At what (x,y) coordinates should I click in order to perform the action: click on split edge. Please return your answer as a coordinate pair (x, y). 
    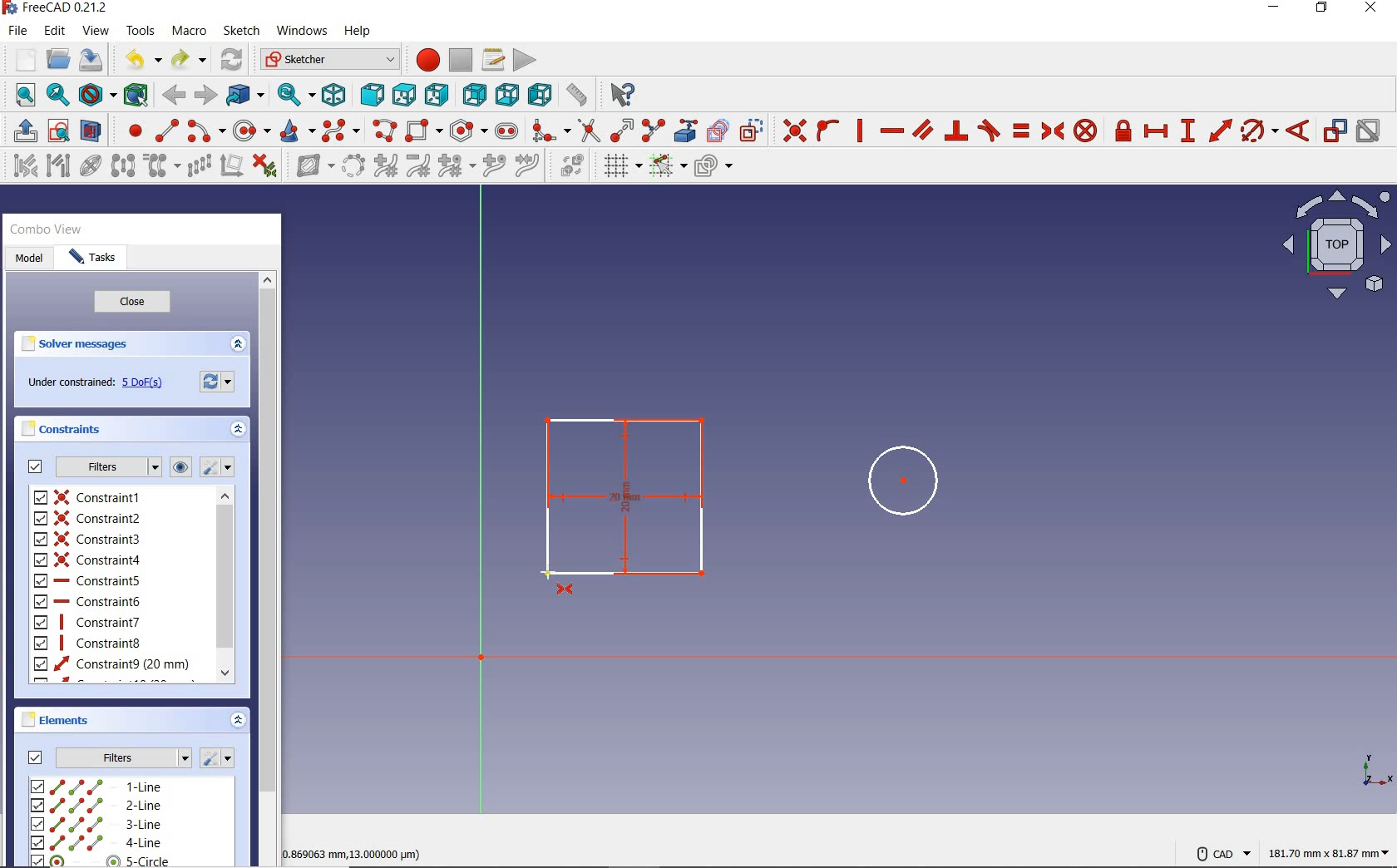
    Looking at the image, I should click on (653, 129).